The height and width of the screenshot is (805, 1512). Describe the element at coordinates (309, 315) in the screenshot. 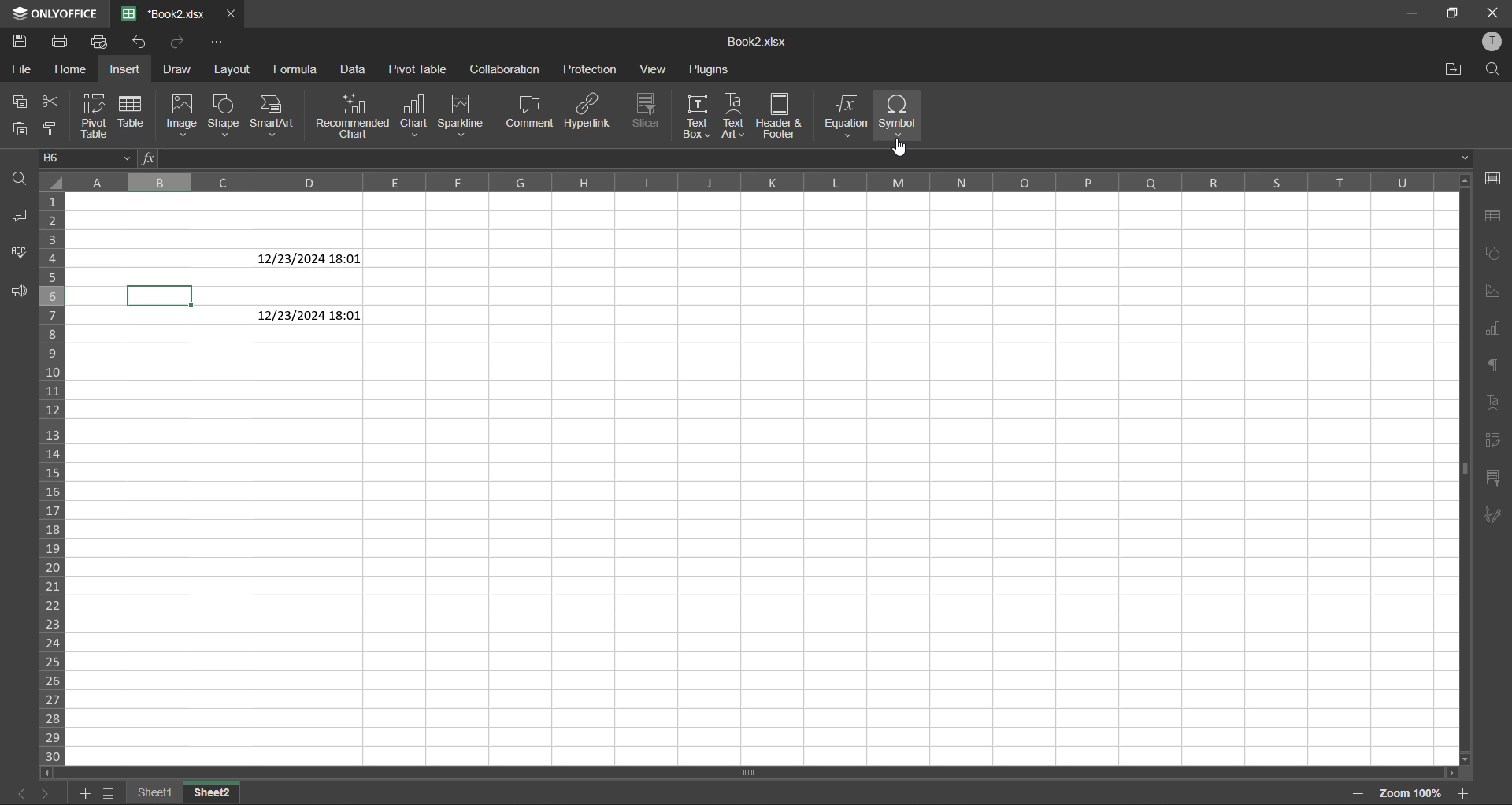

I see `12/23/24 18:01` at that location.